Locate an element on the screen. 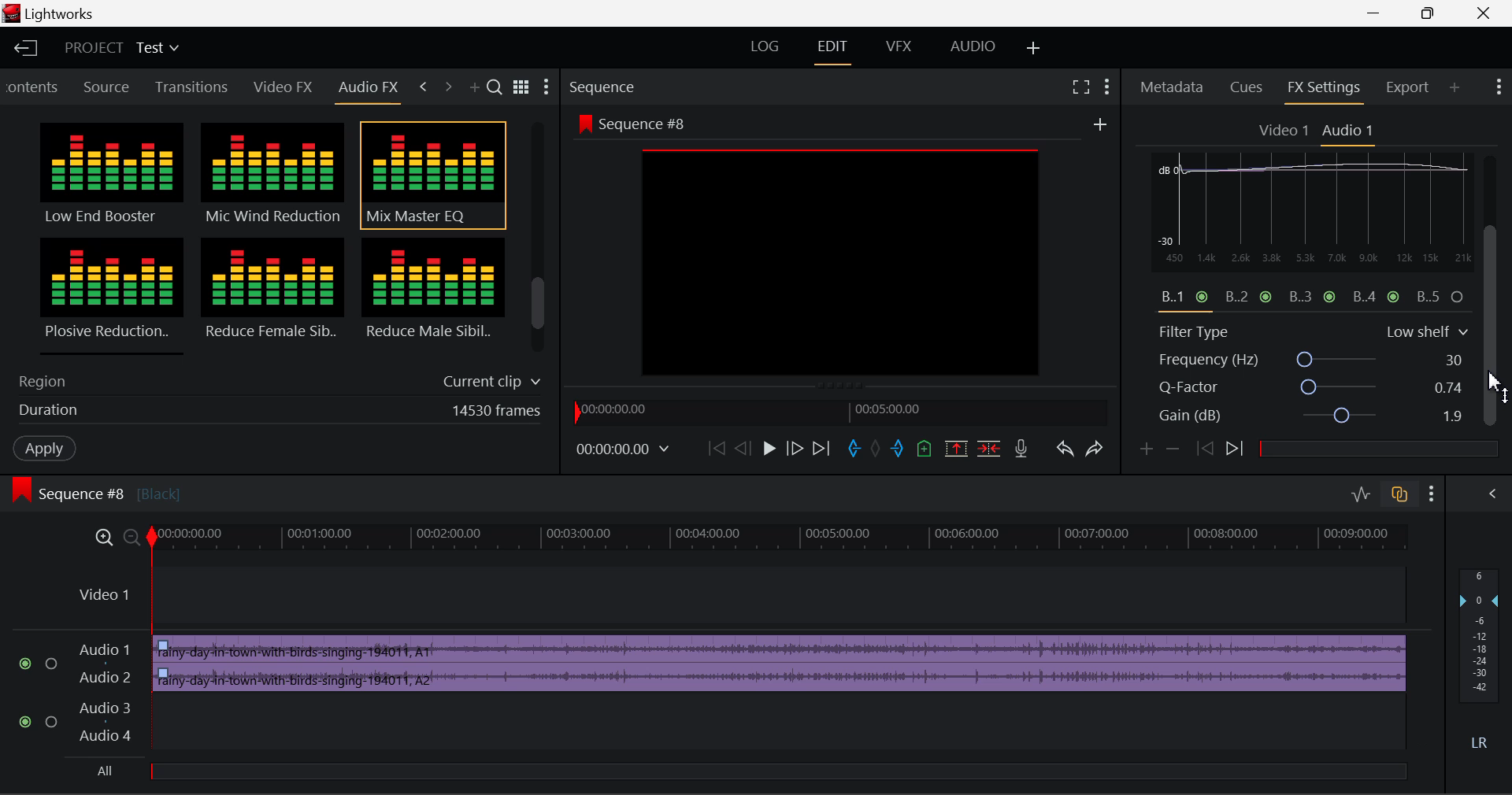  Plosive Reduction is located at coordinates (109, 294).